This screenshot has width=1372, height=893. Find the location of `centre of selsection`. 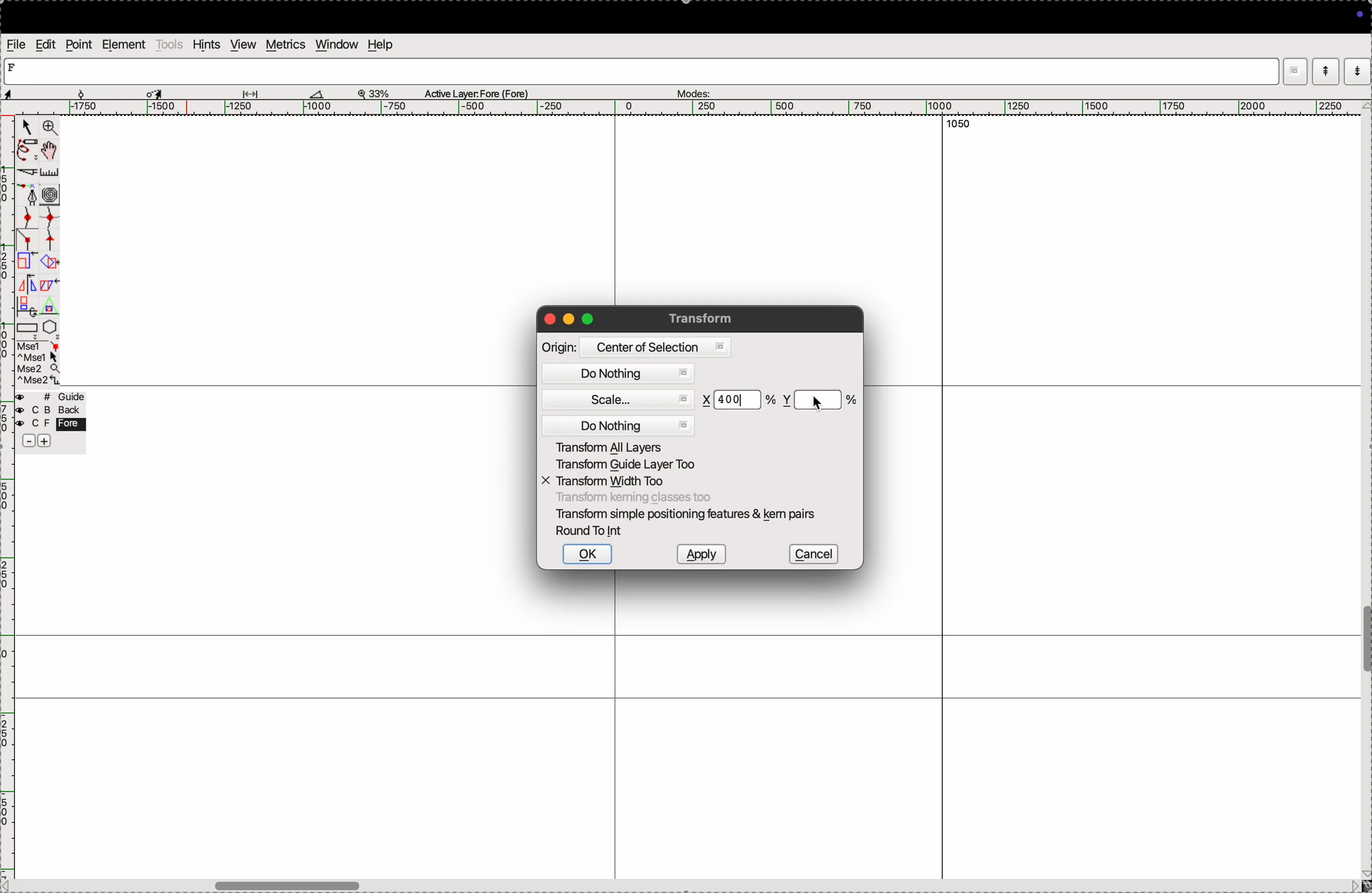

centre of selsection is located at coordinates (654, 347).